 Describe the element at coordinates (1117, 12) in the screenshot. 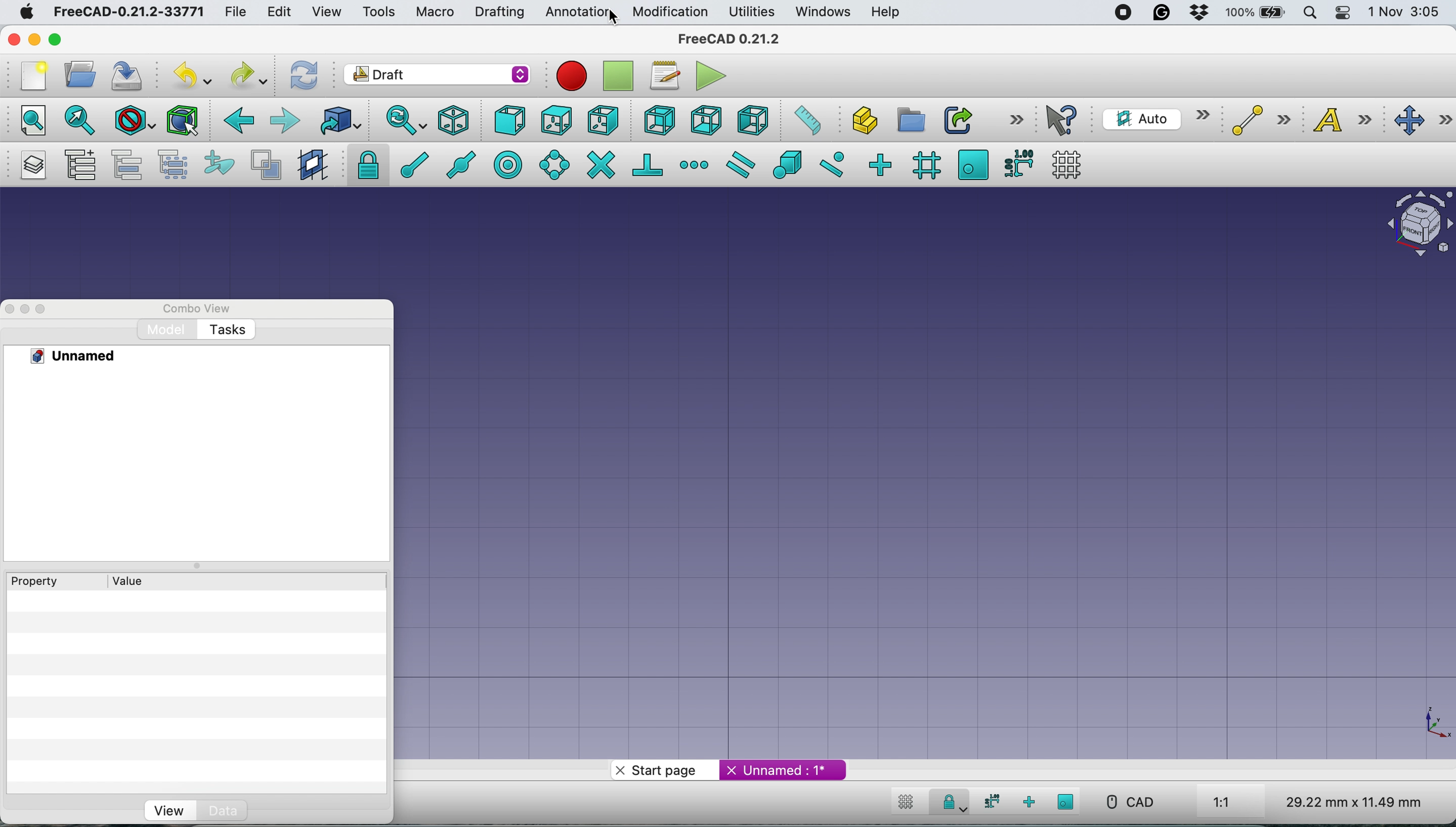

I see `screen recorder` at that location.